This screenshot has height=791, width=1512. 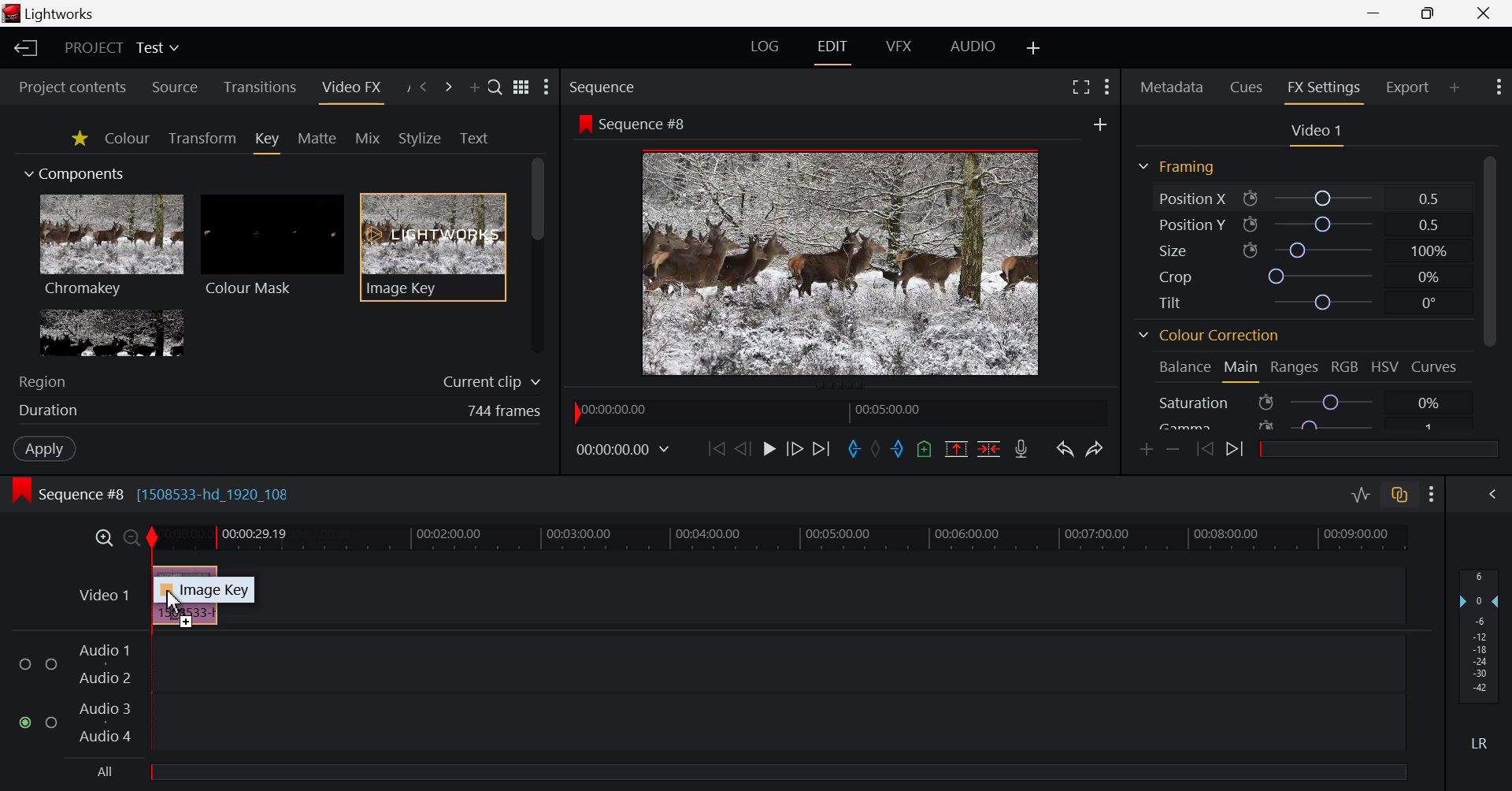 I want to click on size, so click(x=1323, y=251).